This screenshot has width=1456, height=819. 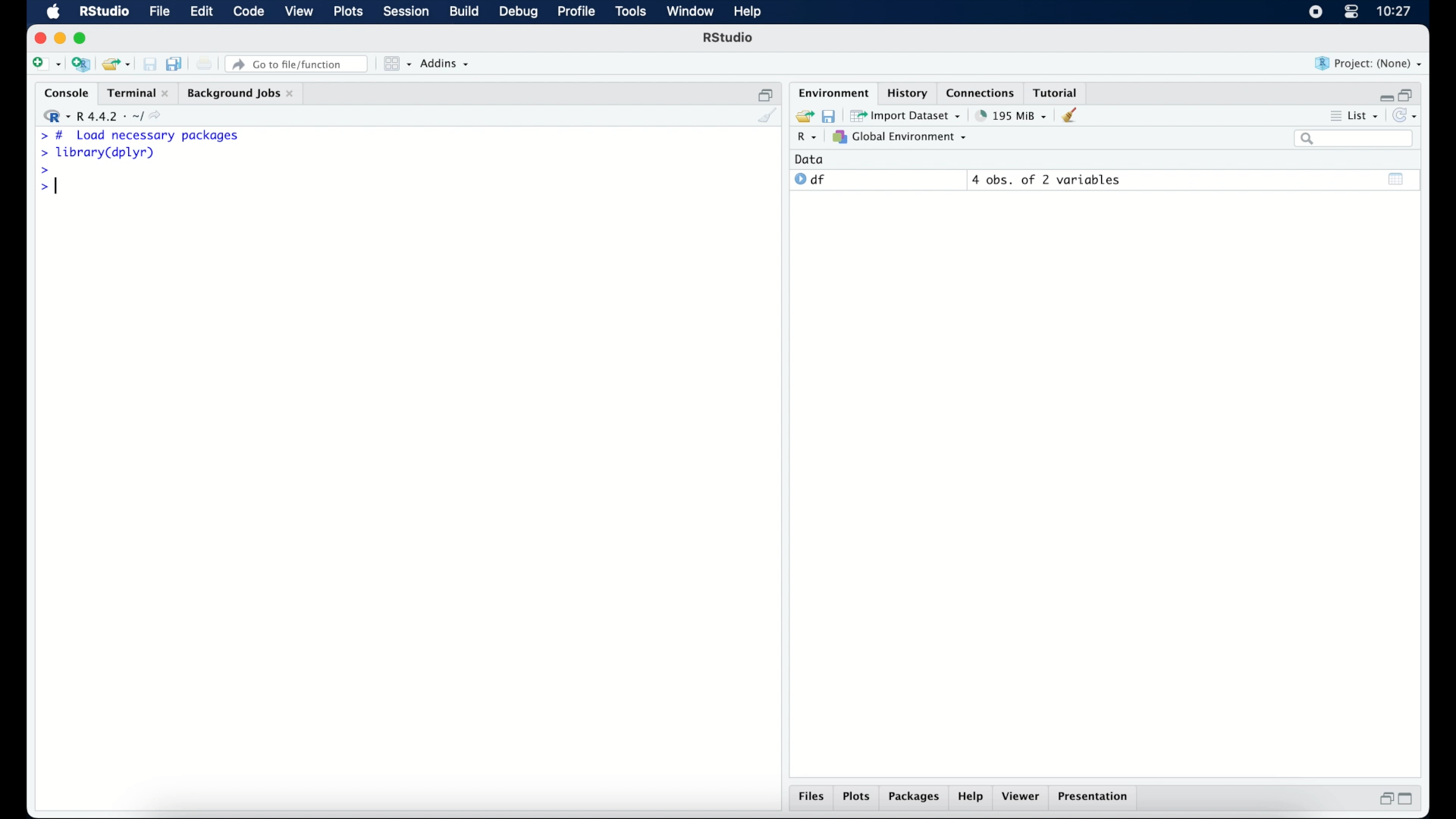 What do you see at coordinates (45, 65) in the screenshot?
I see `create new file` at bounding box center [45, 65].